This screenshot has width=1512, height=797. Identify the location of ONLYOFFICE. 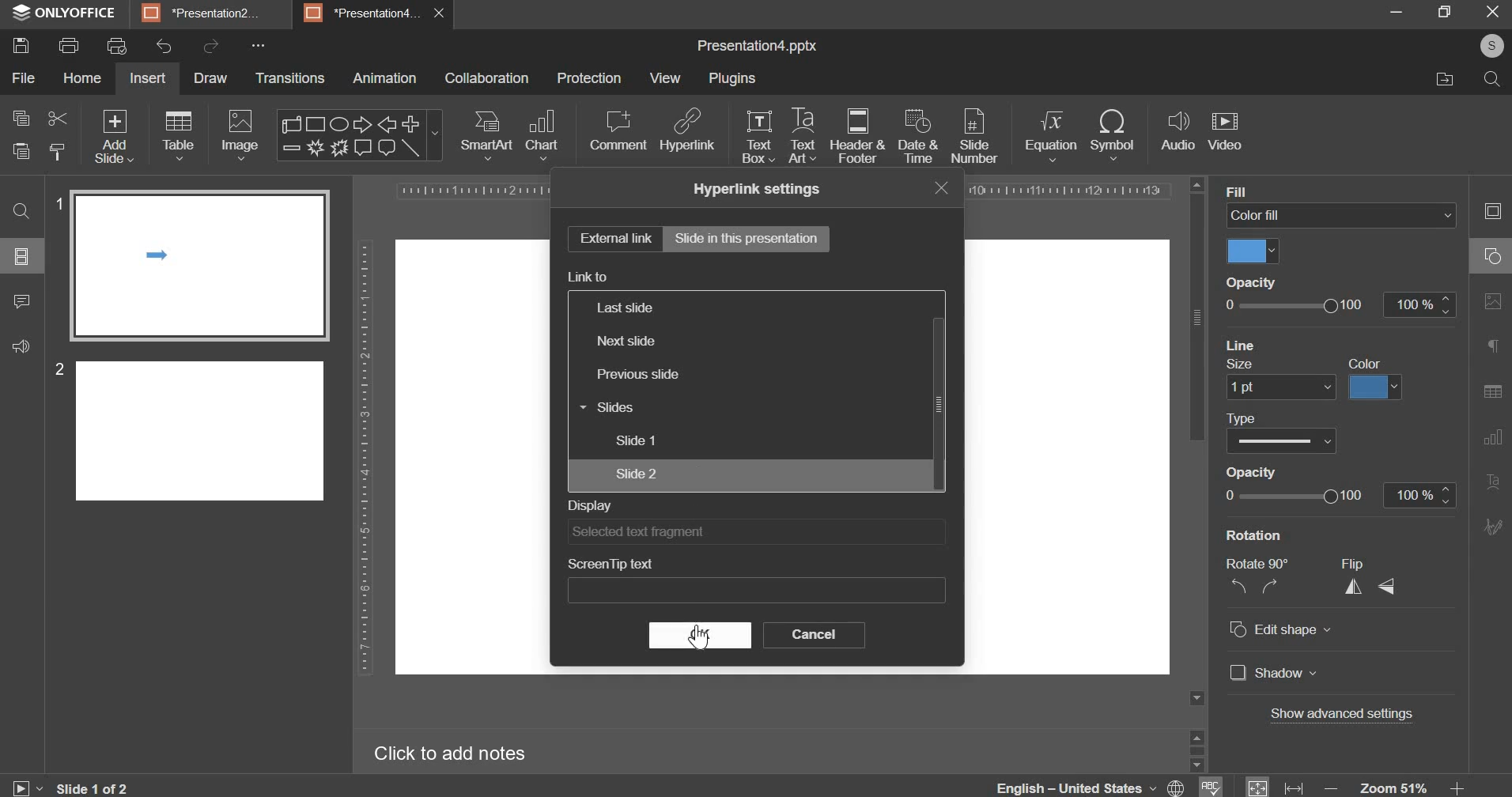
(61, 12).